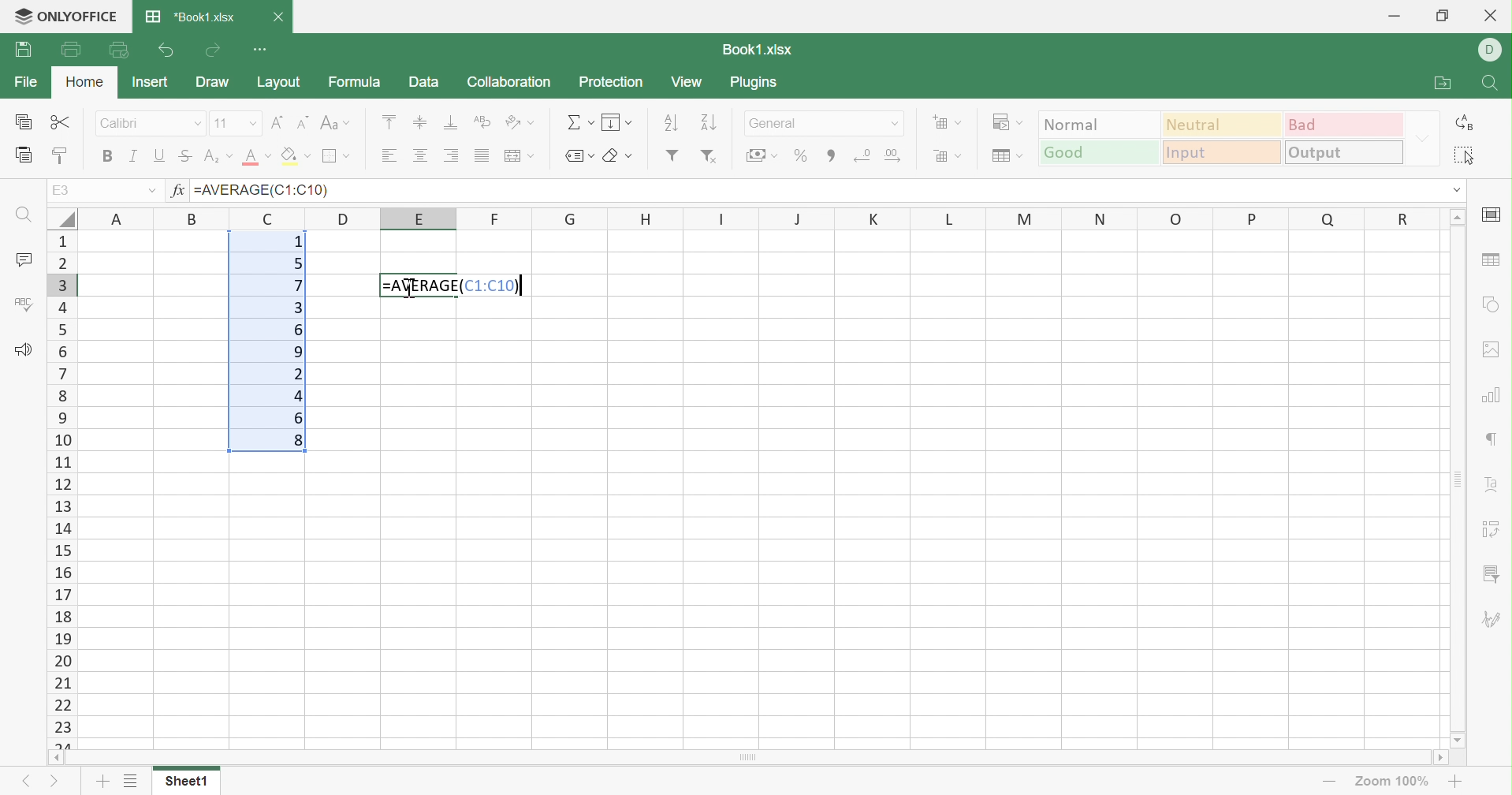 This screenshot has width=1512, height=795. What do you see at coordinates (1492, 528) in the screenshot?
I see `Pivot Table settings` at bounding box center [1492, 528].